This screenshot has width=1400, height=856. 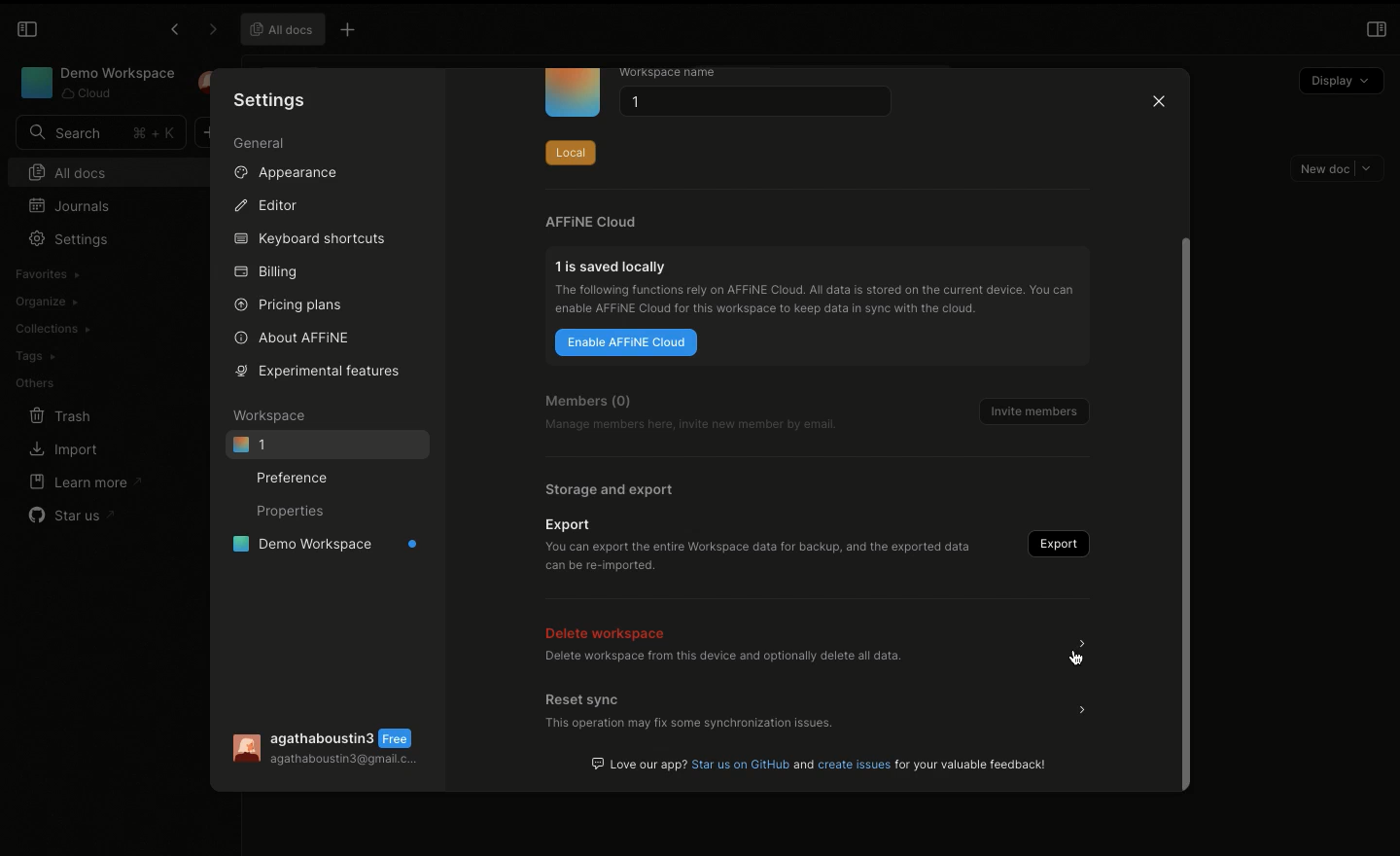 What do you see at coordinates (308, 239) in the screenshot?
I see `Keyboard shortcuts` at bounding box center [308, 239].